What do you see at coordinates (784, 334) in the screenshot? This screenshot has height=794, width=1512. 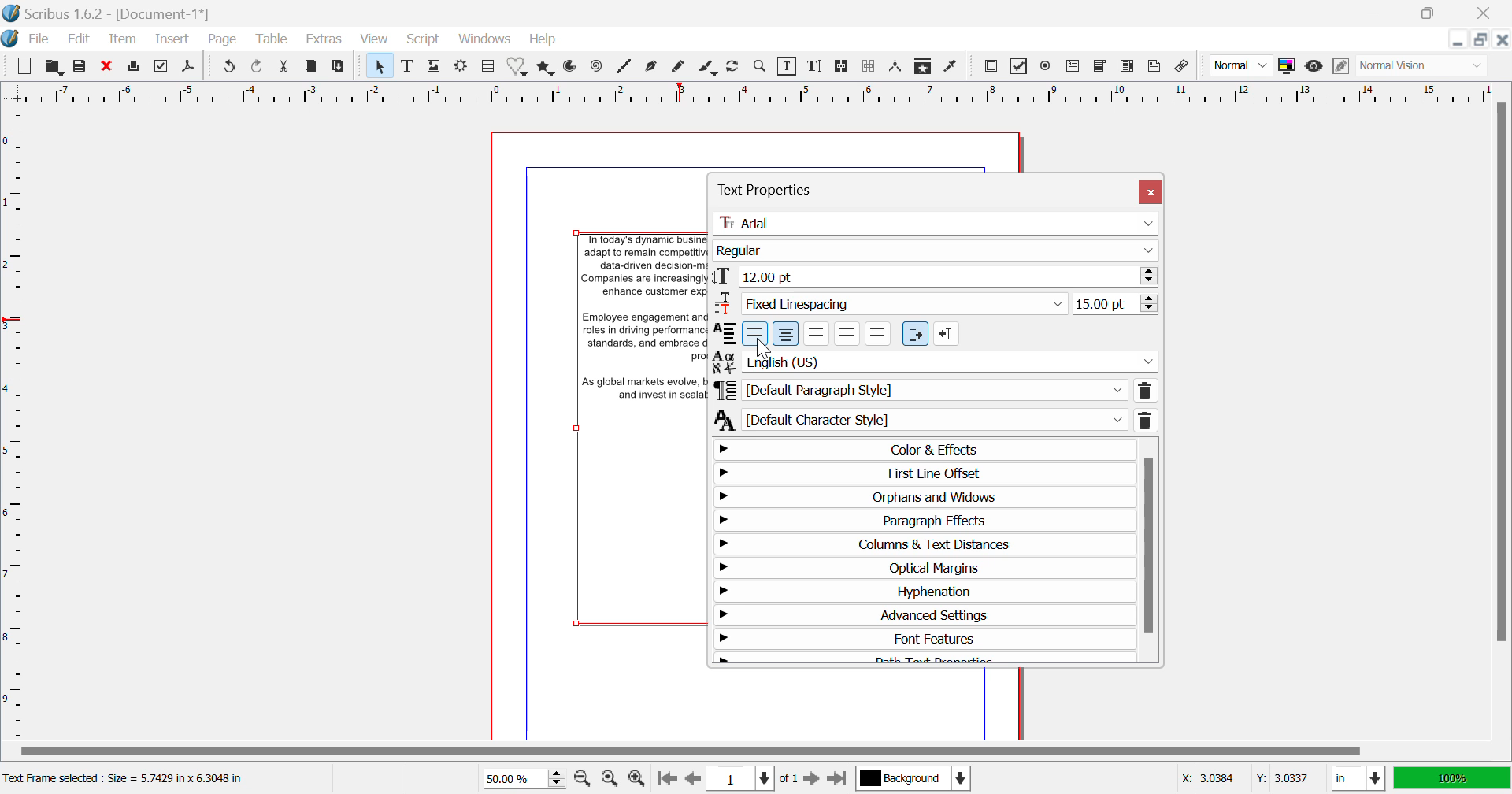 I see `Center Align` at bounding box center [784, 334].